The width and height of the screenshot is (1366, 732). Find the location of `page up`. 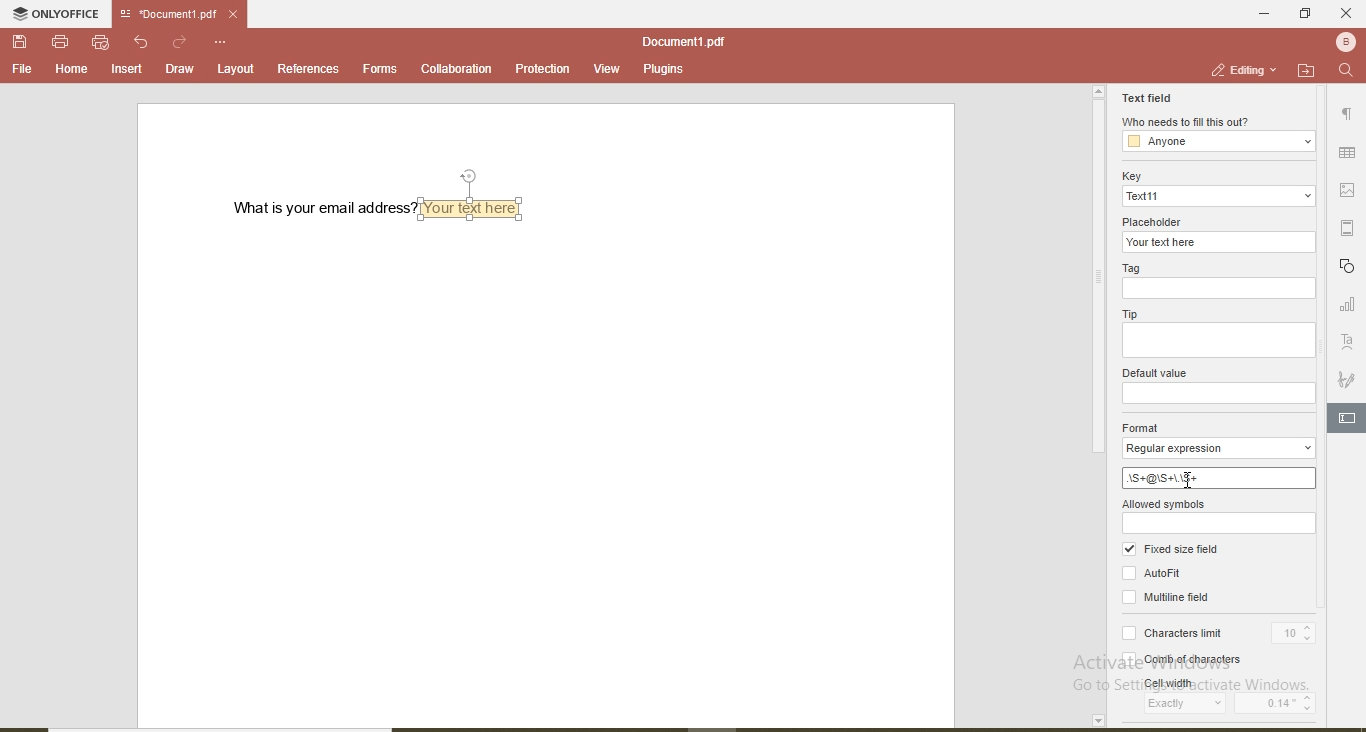

page up is located at coordinates (1098, 92).